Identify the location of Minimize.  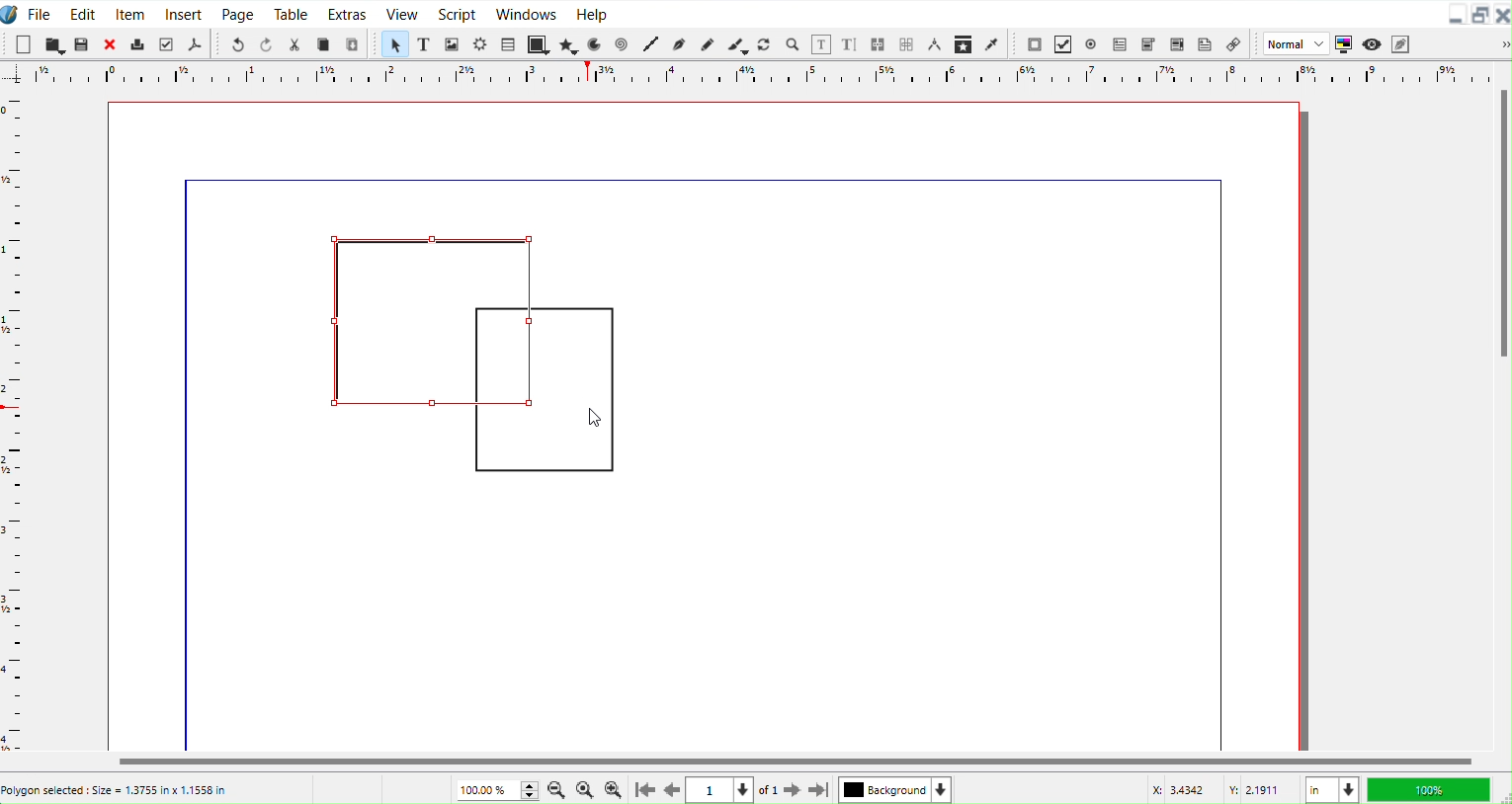
(1458, 13).